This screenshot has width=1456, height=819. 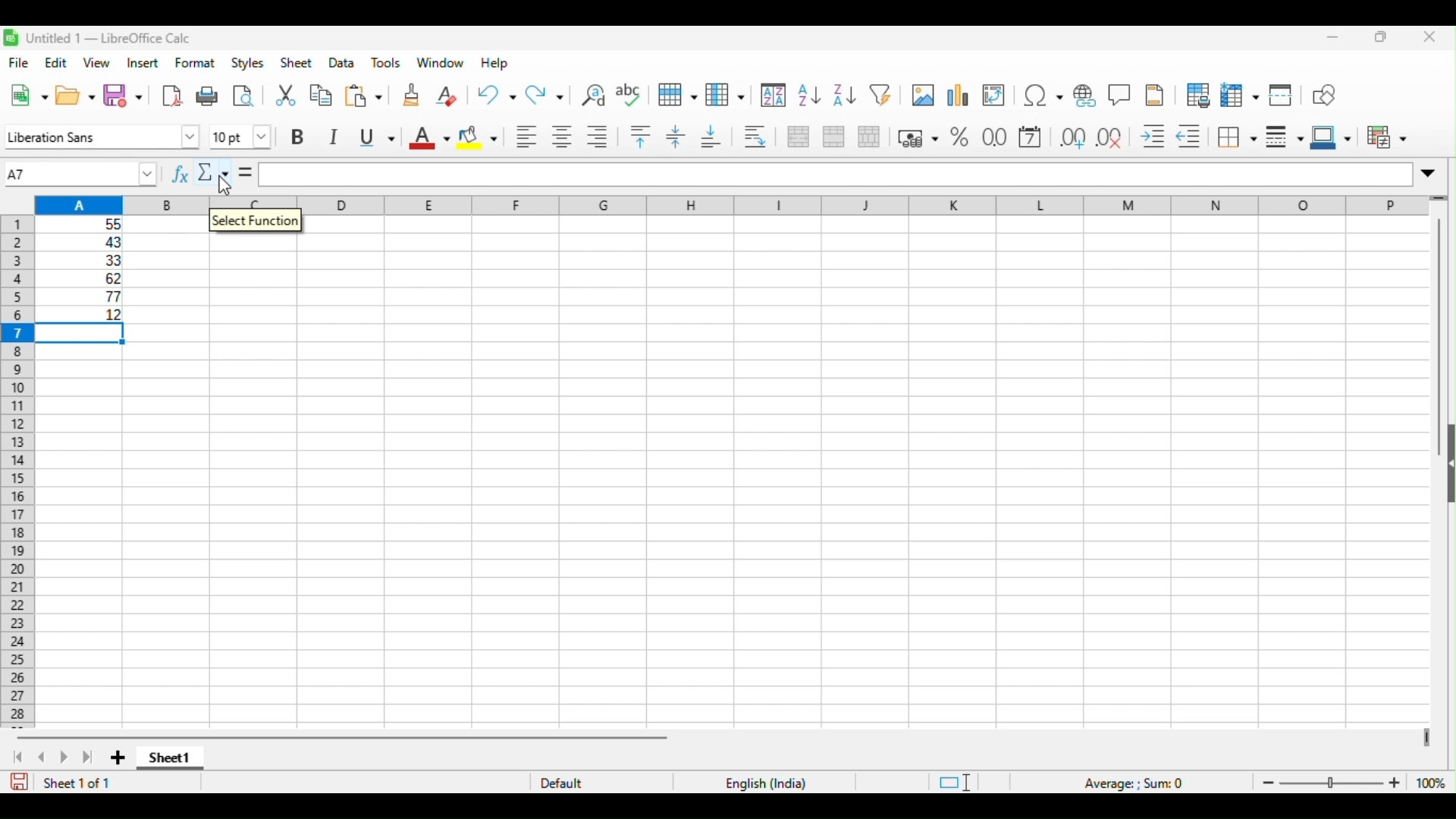 What do you see at coordinates (1120, 93) in the screenshot?
I see `insert comment` at bounding box center [1120, 93].